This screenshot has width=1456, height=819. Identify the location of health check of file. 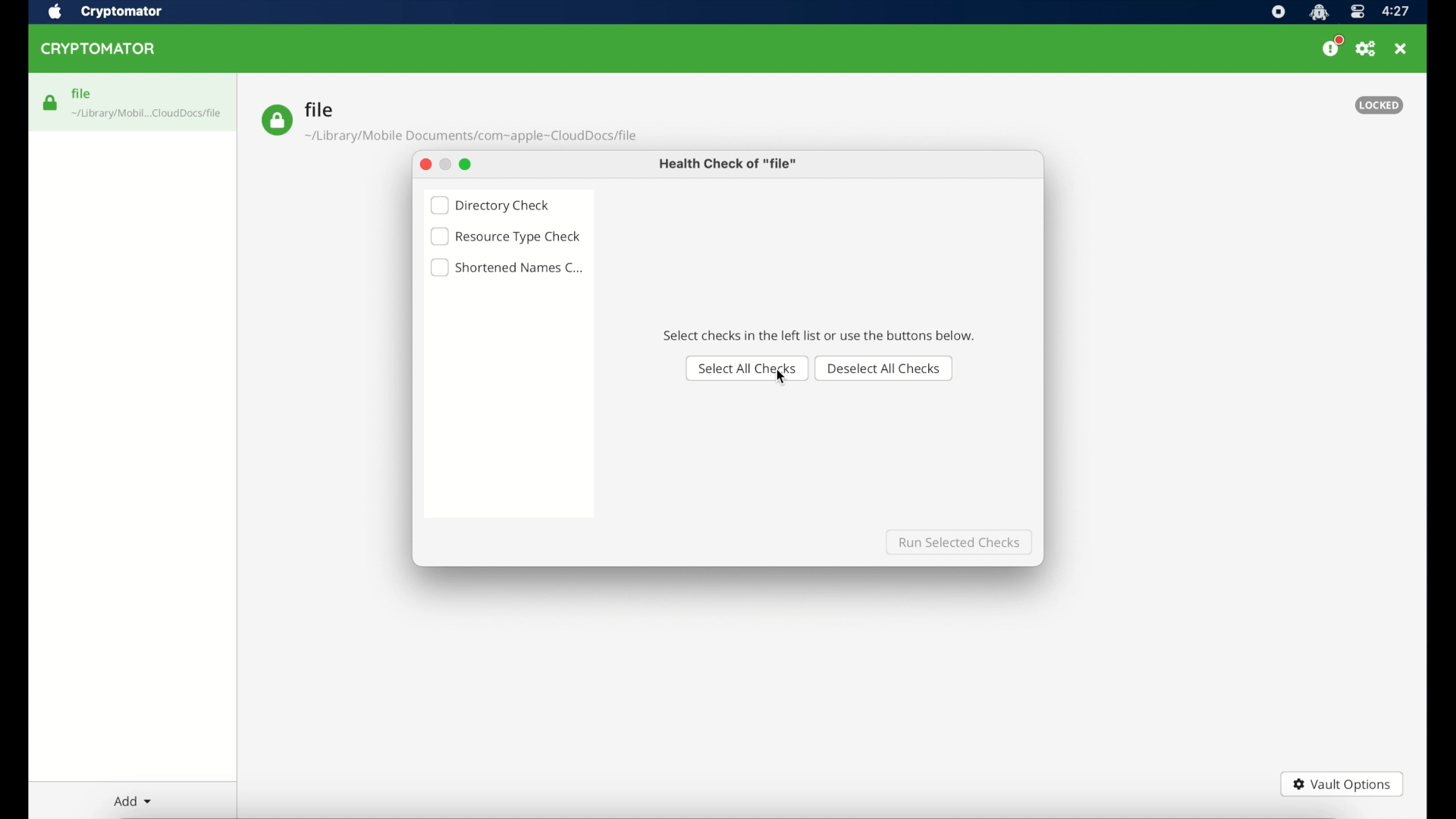
(729, 164).